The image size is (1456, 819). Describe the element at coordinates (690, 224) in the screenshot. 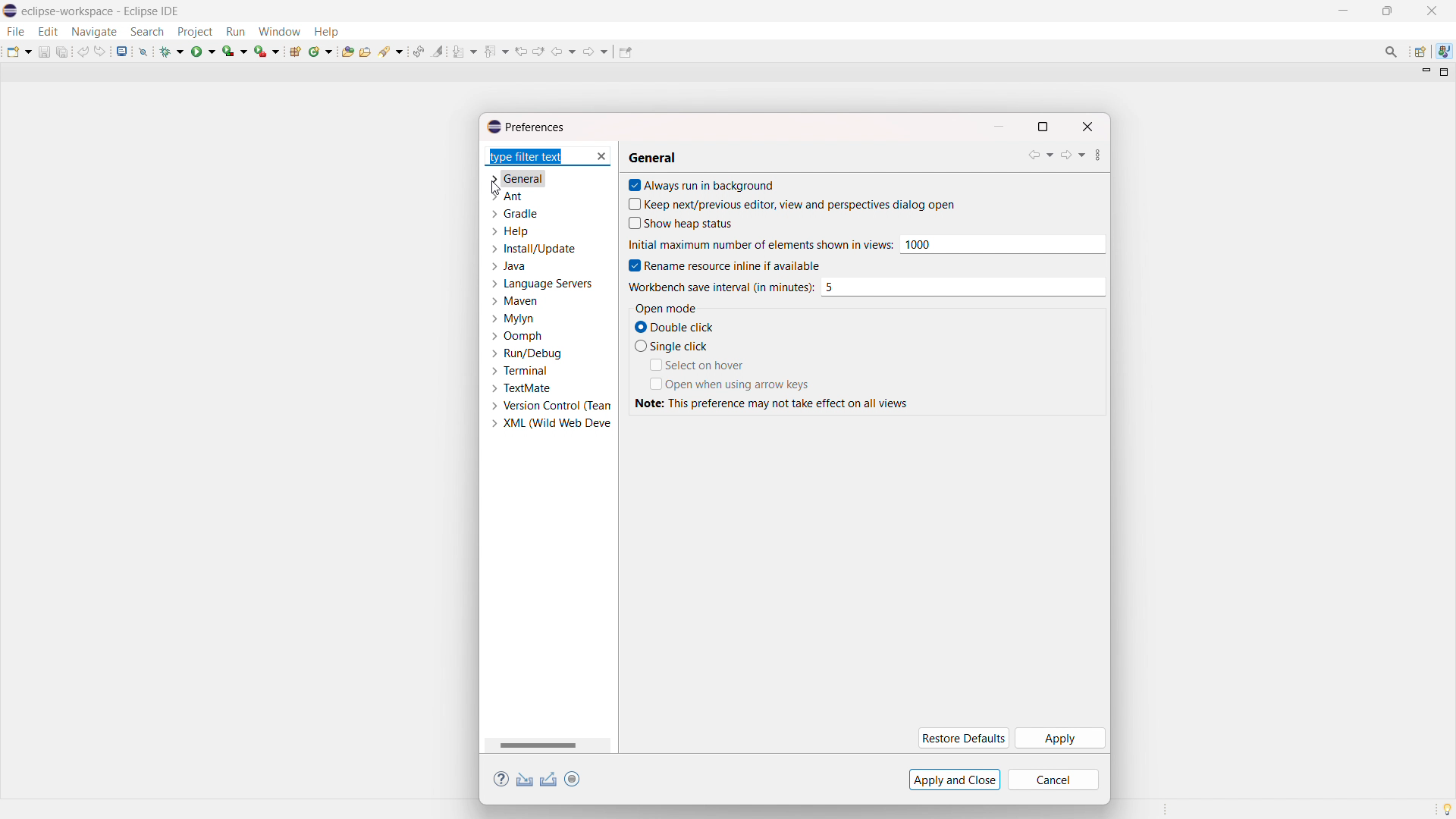

I see `show heap status` at that location.